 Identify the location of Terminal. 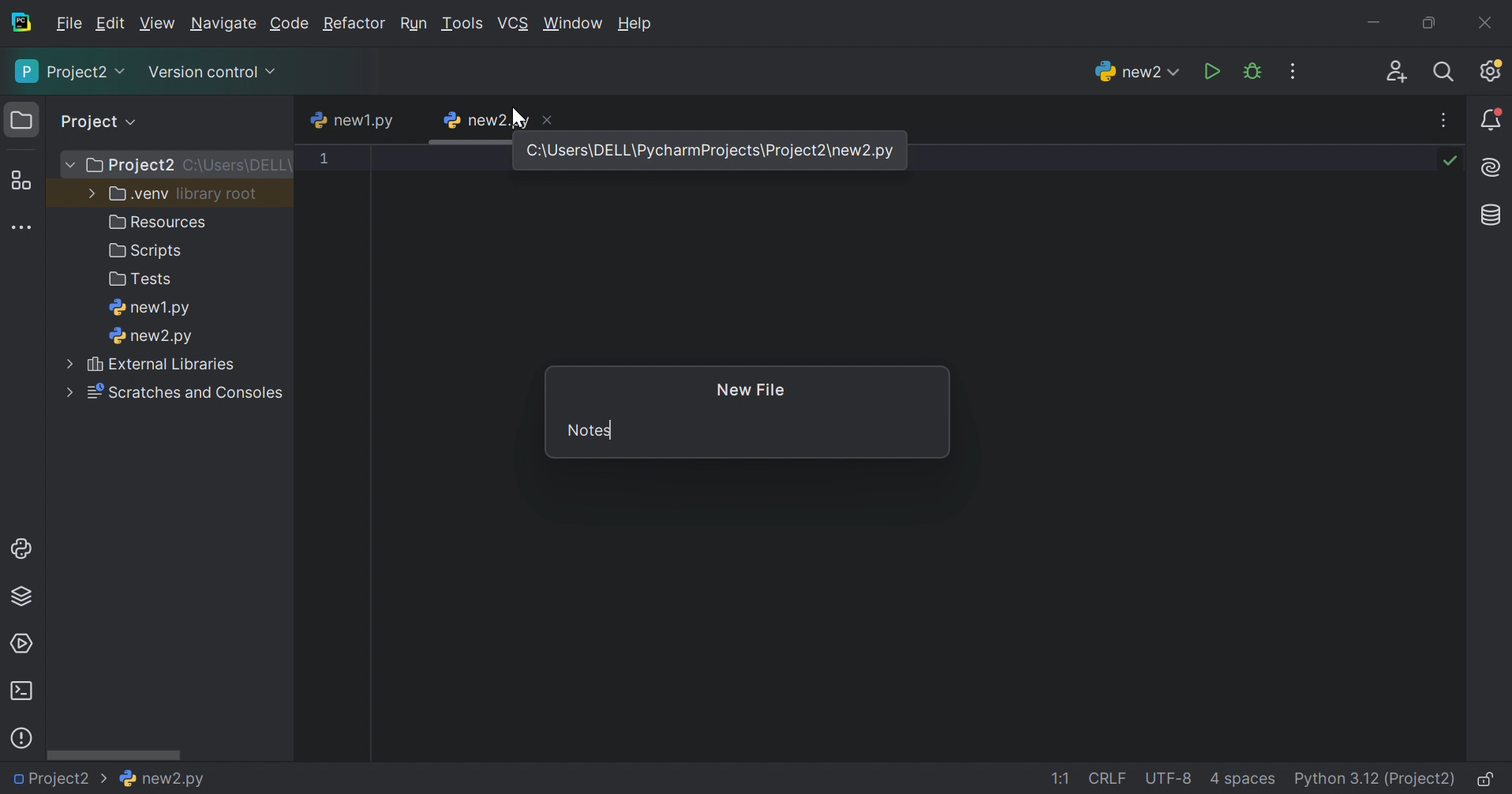
(22, 691).